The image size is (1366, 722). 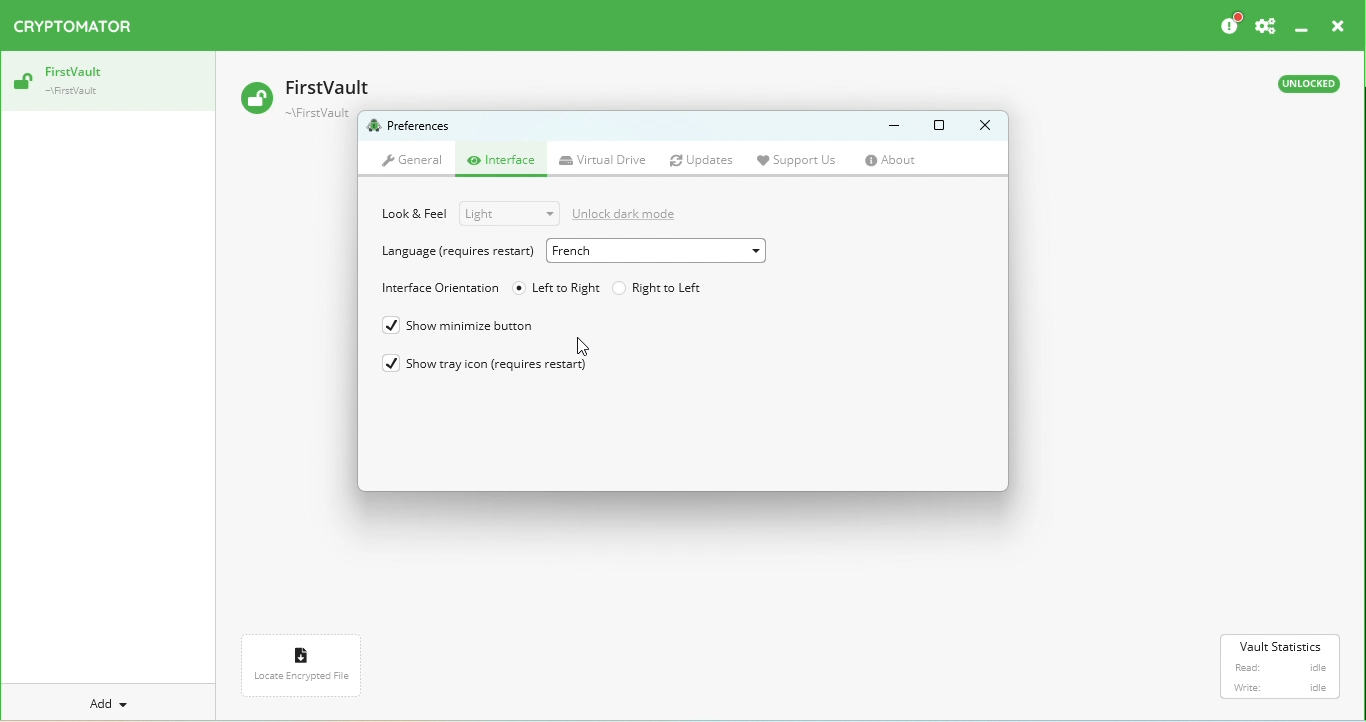 What do you see at coordinates (886, 126) in the screenshot?
I see `Minimize` at bounding box center [886, 126].